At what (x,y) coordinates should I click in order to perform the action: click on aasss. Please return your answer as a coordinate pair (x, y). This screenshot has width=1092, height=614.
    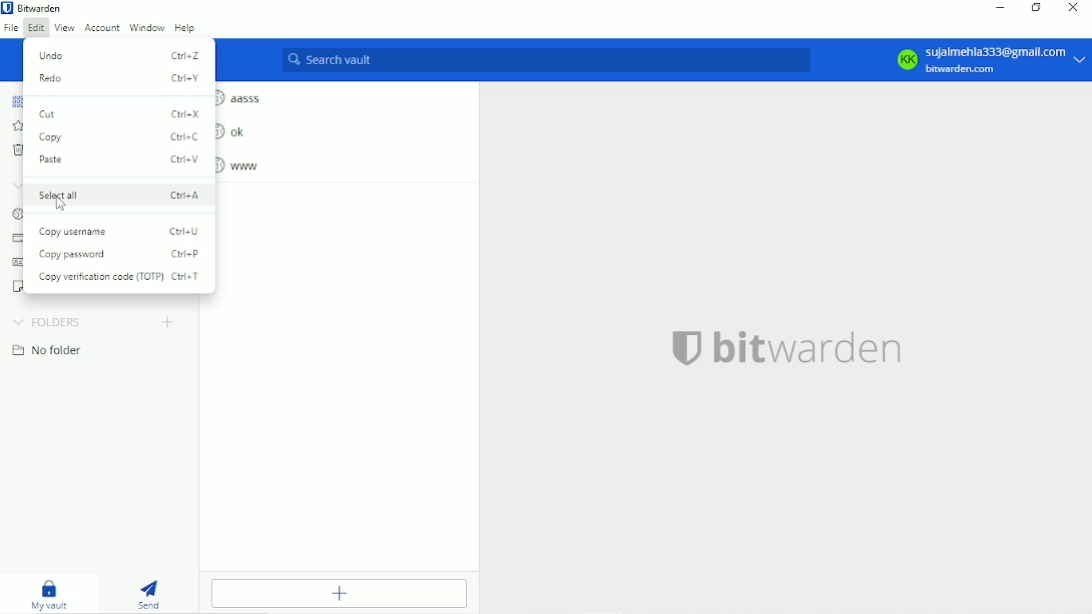
    Looking at the image, I should click on (243, 97).